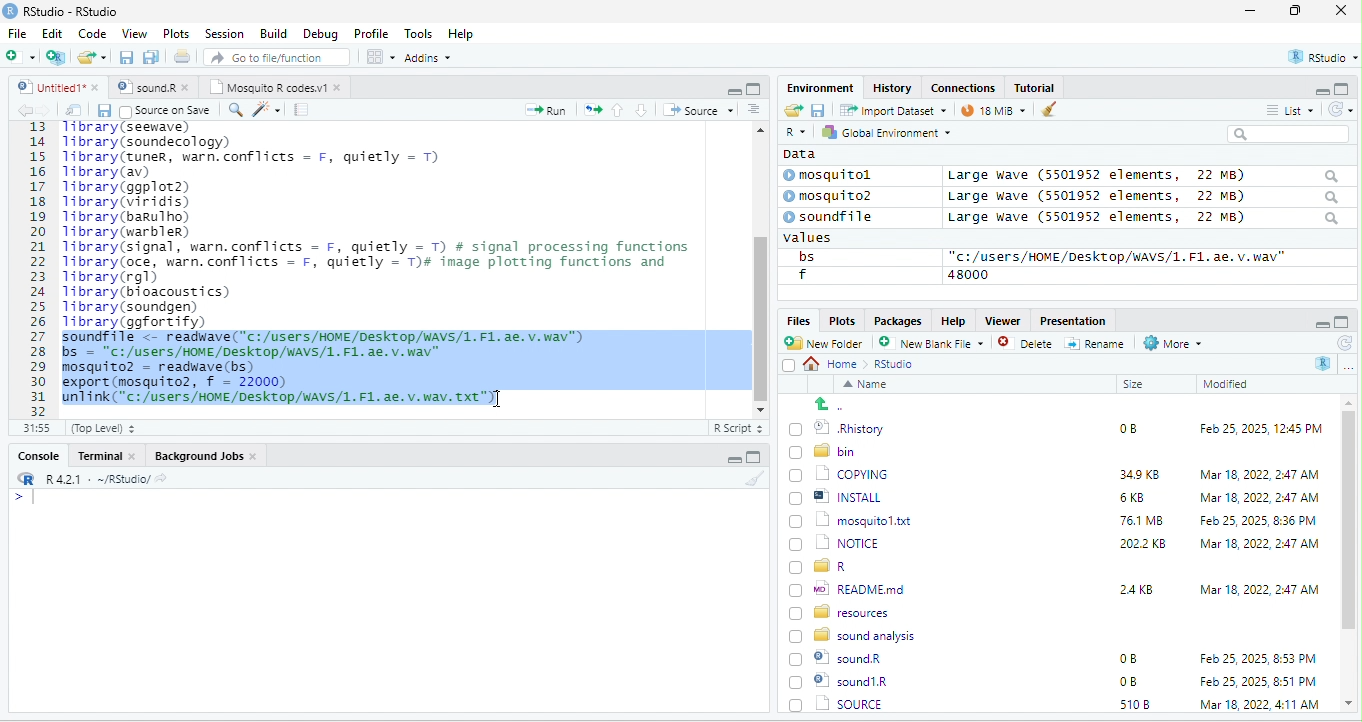 This screenshot has width=1362, height=722. What do you see at coordinates (1142, 175) in the screenshot?
I see `Large wave (5501952 elements, 22 MB)` at bounding box center [1142, 175].